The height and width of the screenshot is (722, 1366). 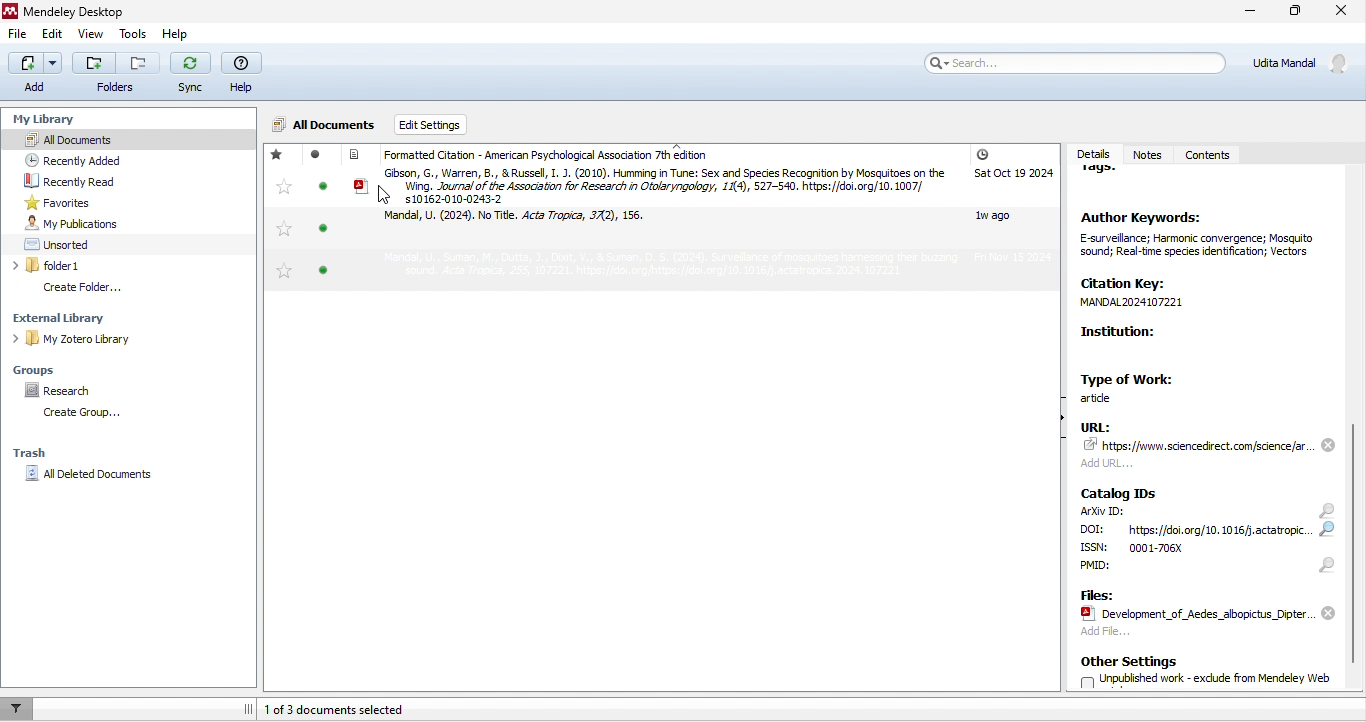 What do you see at coordinates (319, 219) in the screenshot?
I see `read/unread` at bounding box center [319, 219].